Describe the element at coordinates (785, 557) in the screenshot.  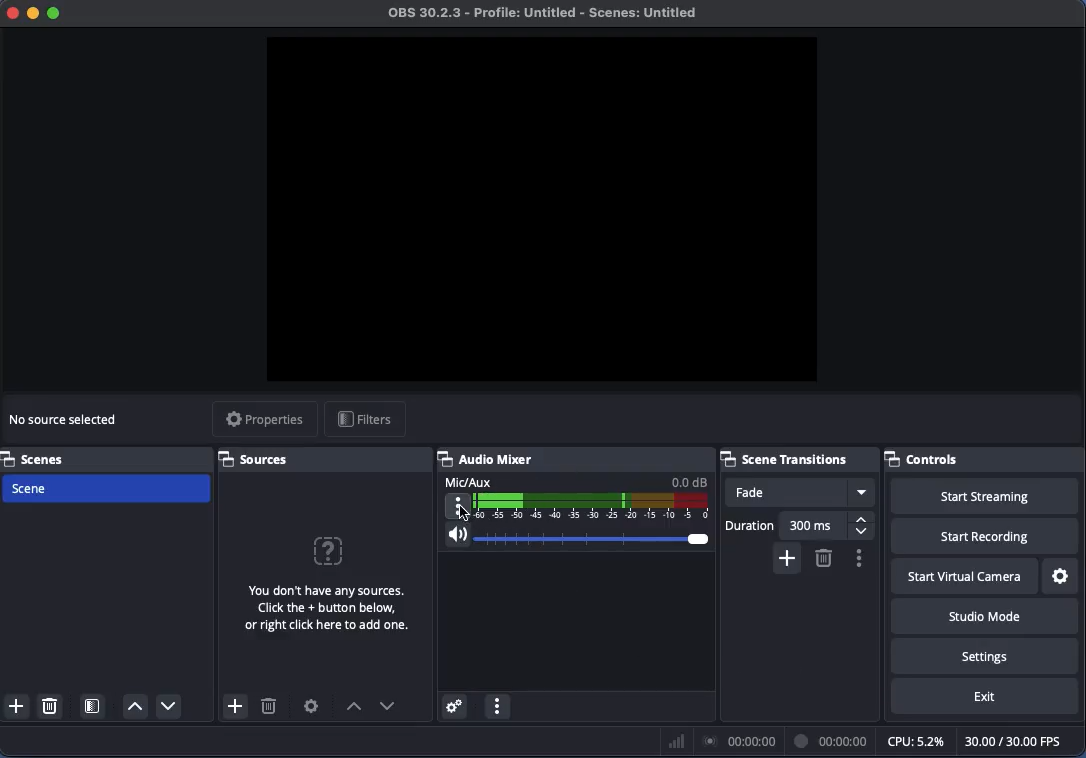
I see `Add` at that location.